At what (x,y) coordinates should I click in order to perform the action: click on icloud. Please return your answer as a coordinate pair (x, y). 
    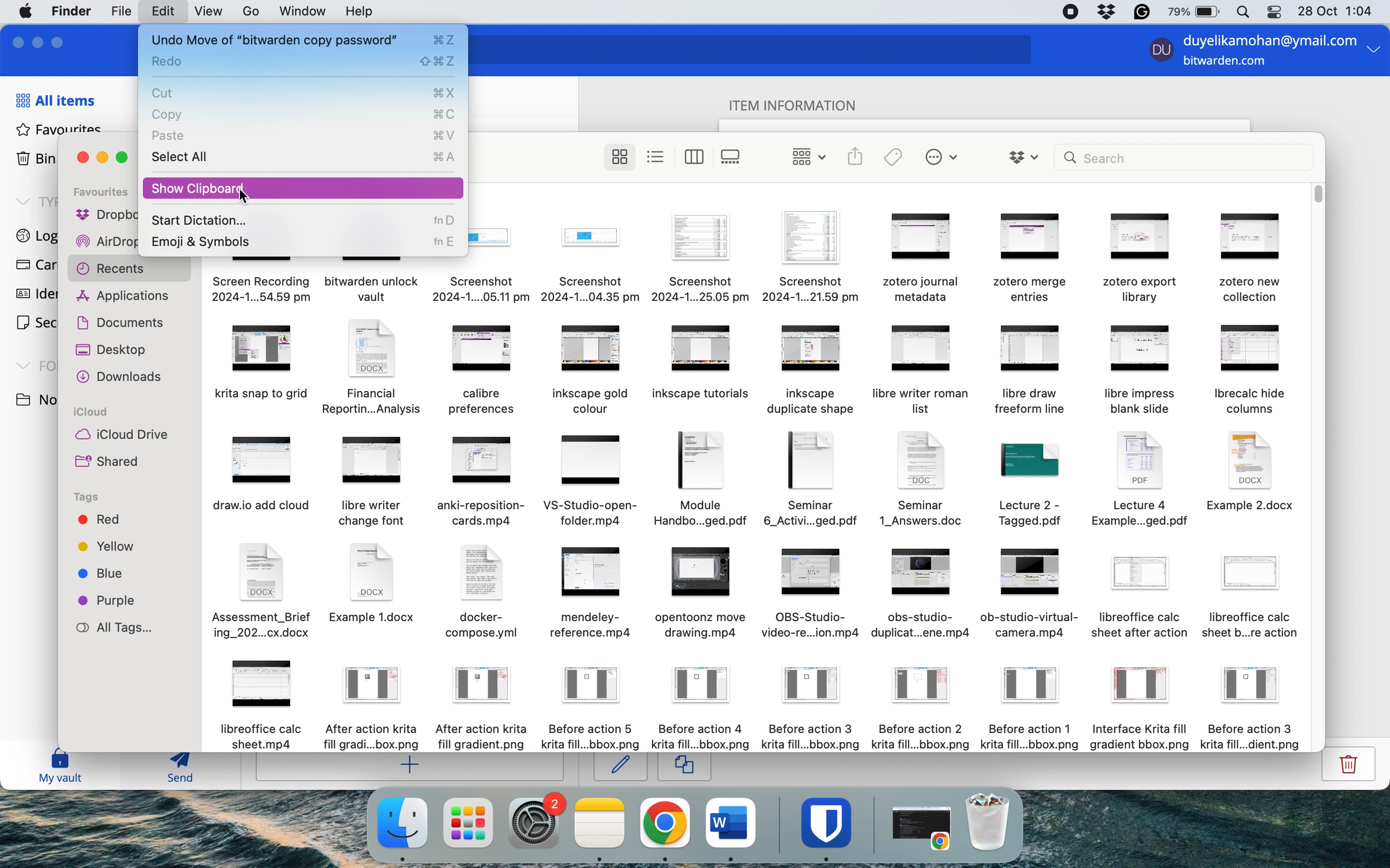
    Looking at the image, I should click on (94, 413).